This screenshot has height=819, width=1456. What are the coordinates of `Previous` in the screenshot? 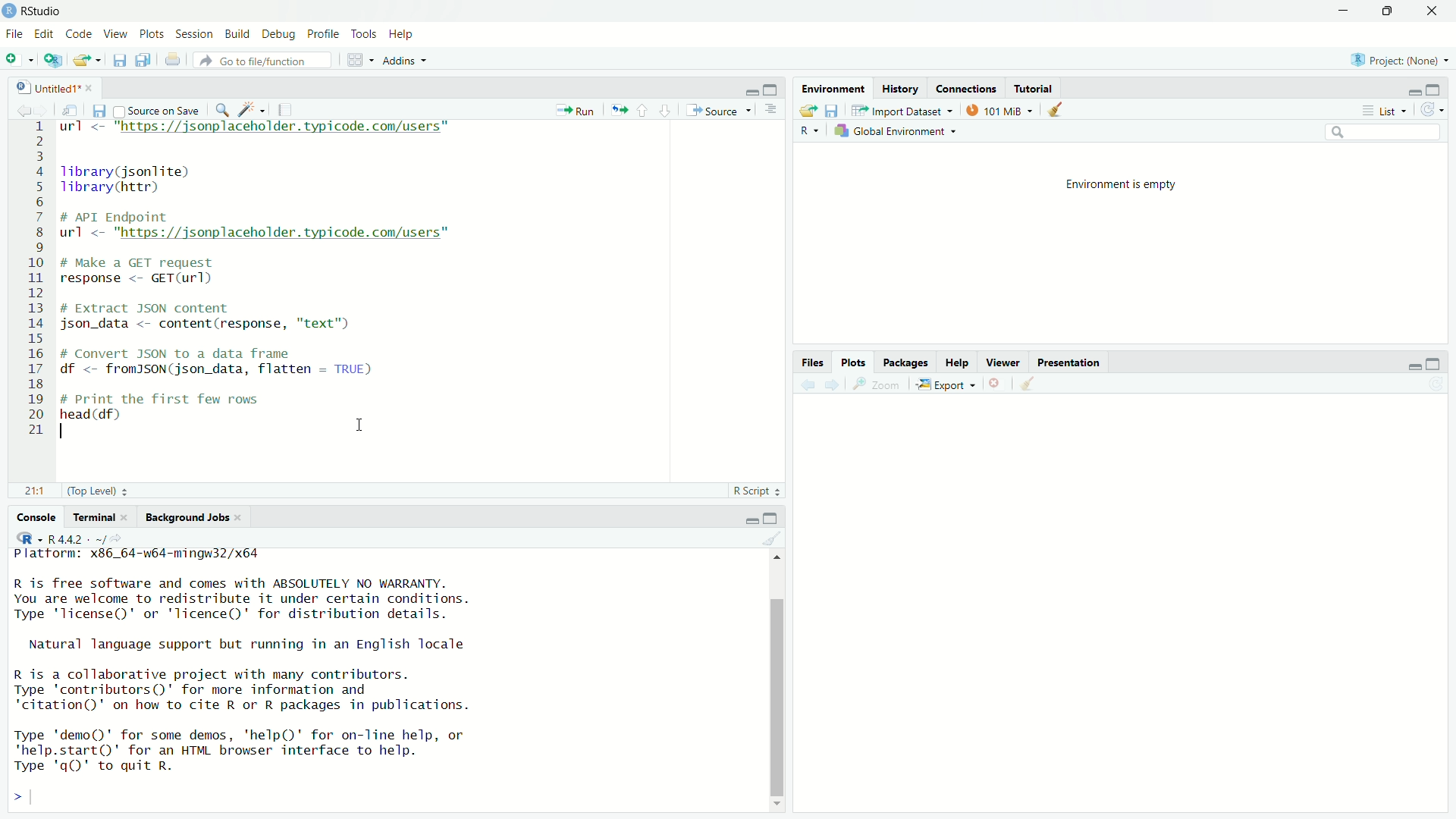 It's located at (807, 388).